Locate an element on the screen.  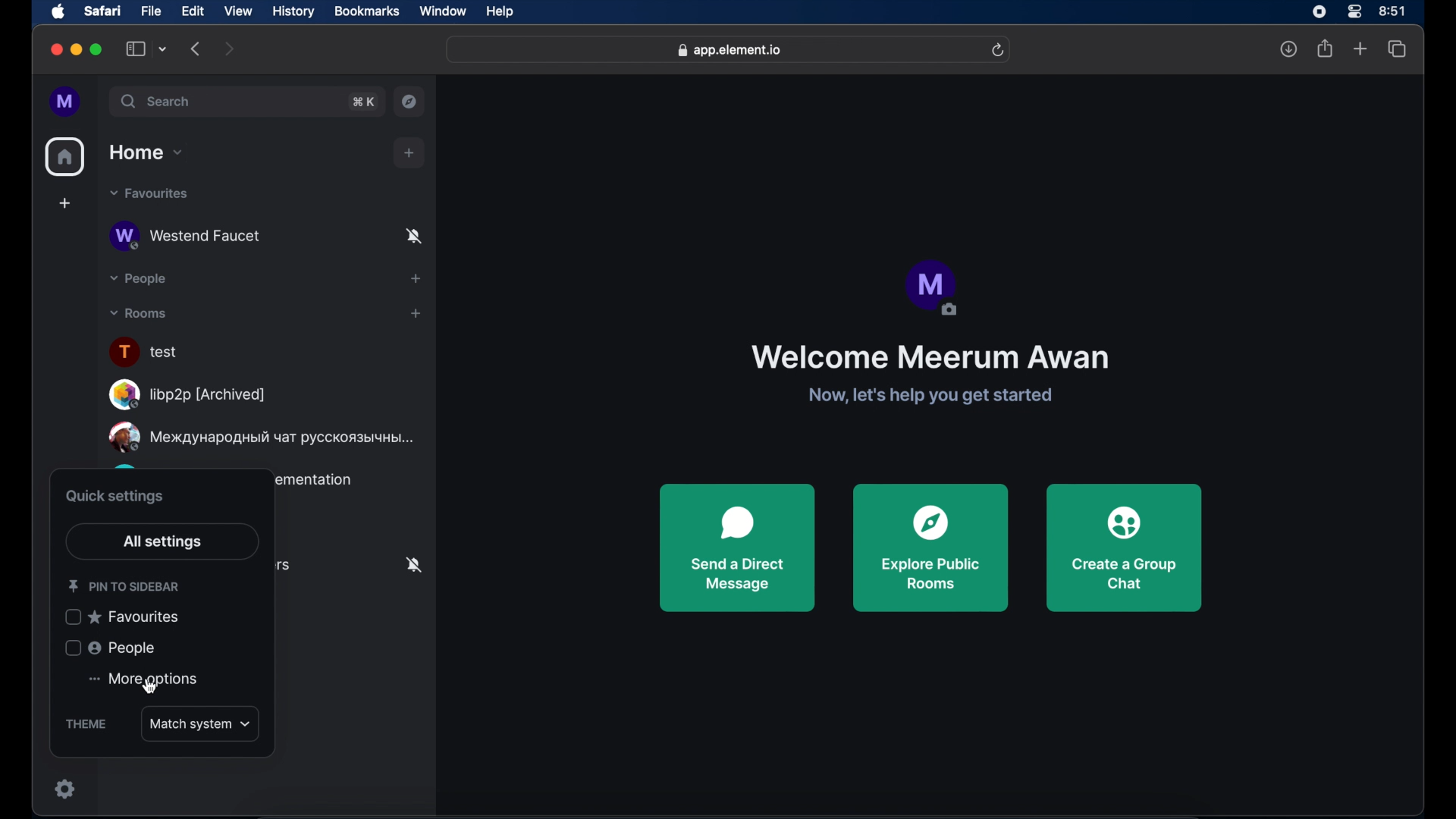
new tab is located at coordinates (1360, 47).